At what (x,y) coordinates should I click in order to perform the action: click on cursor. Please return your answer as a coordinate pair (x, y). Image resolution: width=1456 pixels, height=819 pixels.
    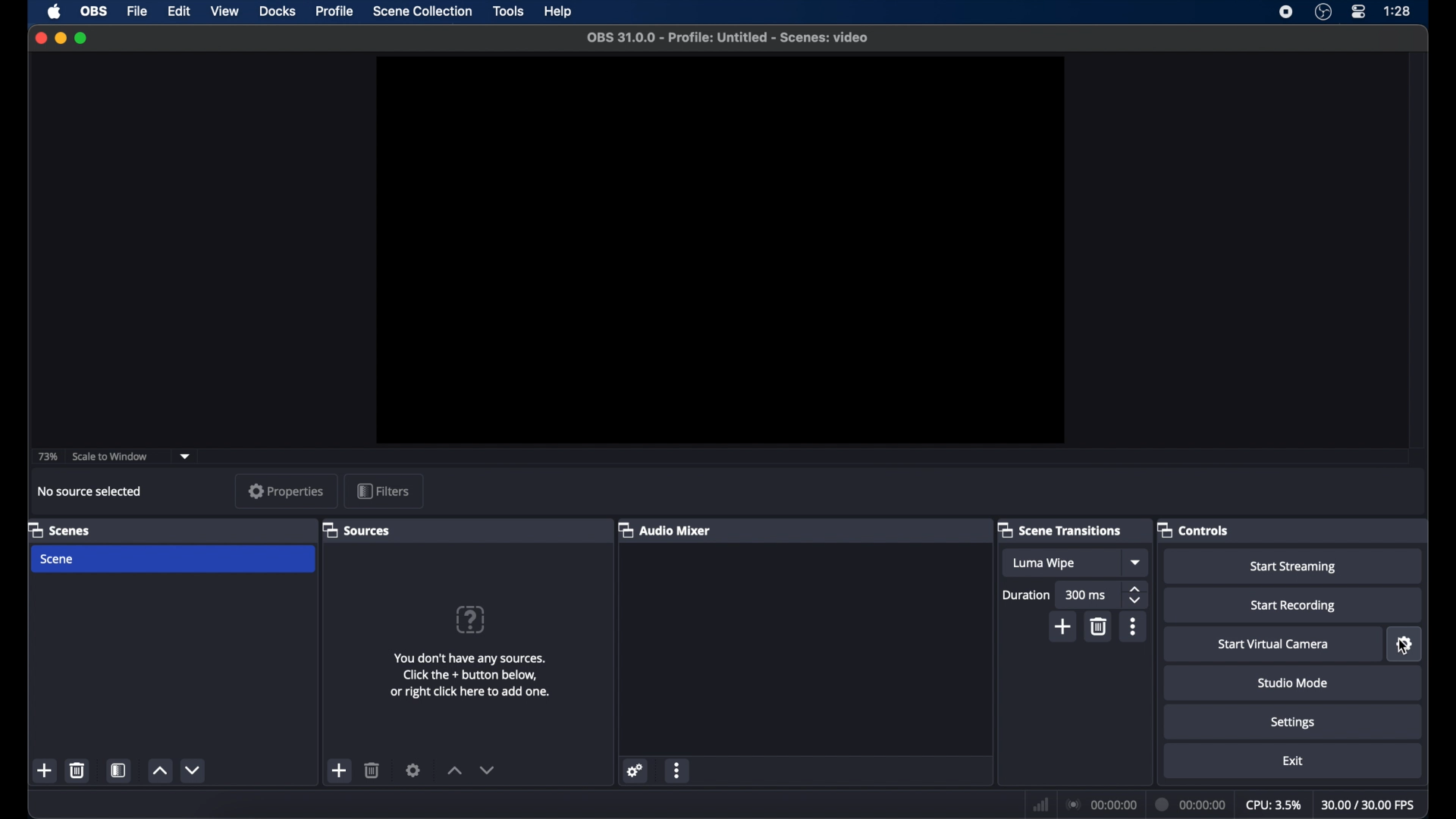
    Looking at the image, I should click on (1402, 647).